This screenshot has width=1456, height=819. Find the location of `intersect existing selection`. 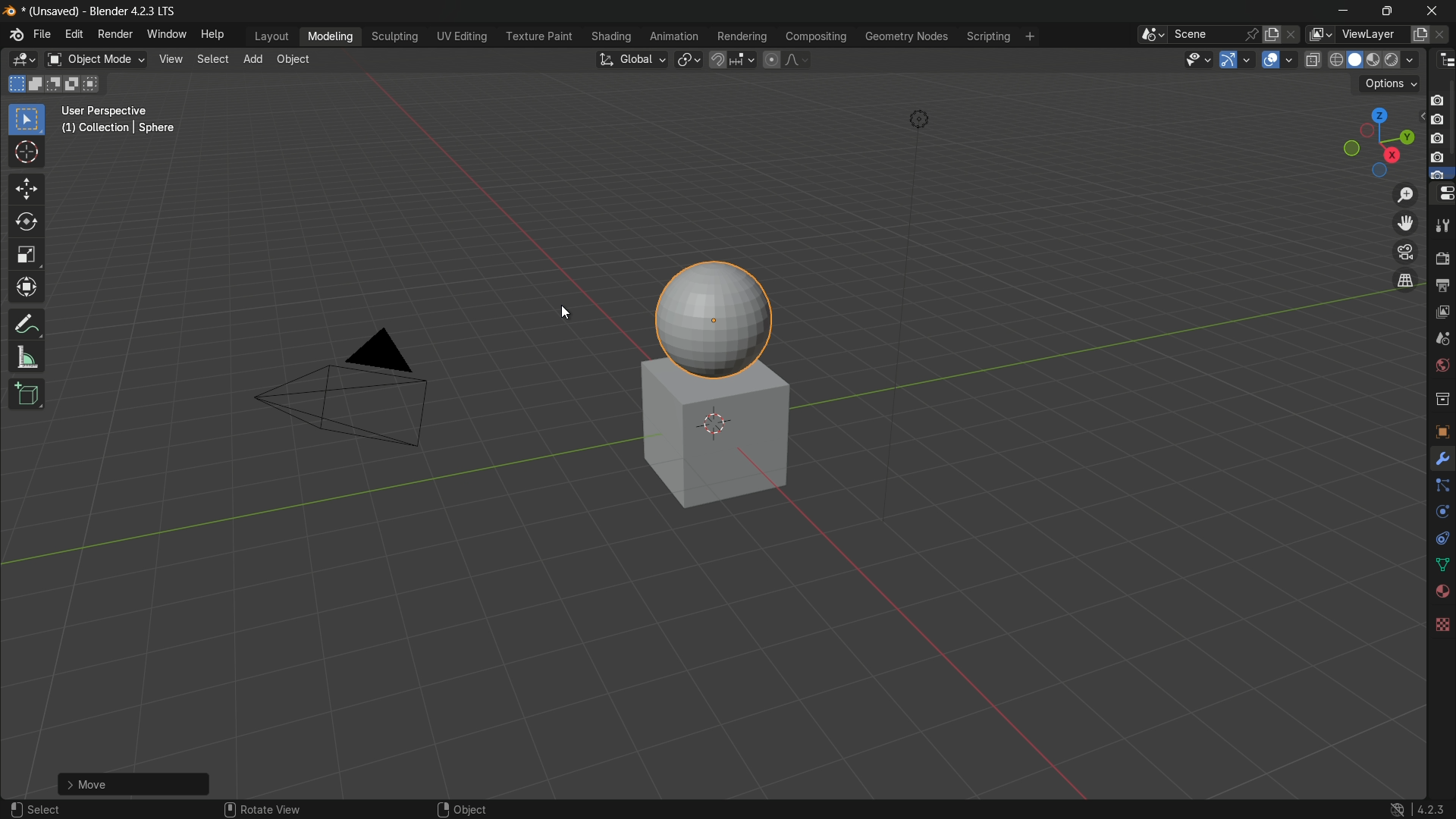

intersect existing selection is located at coordinates (96, 83).